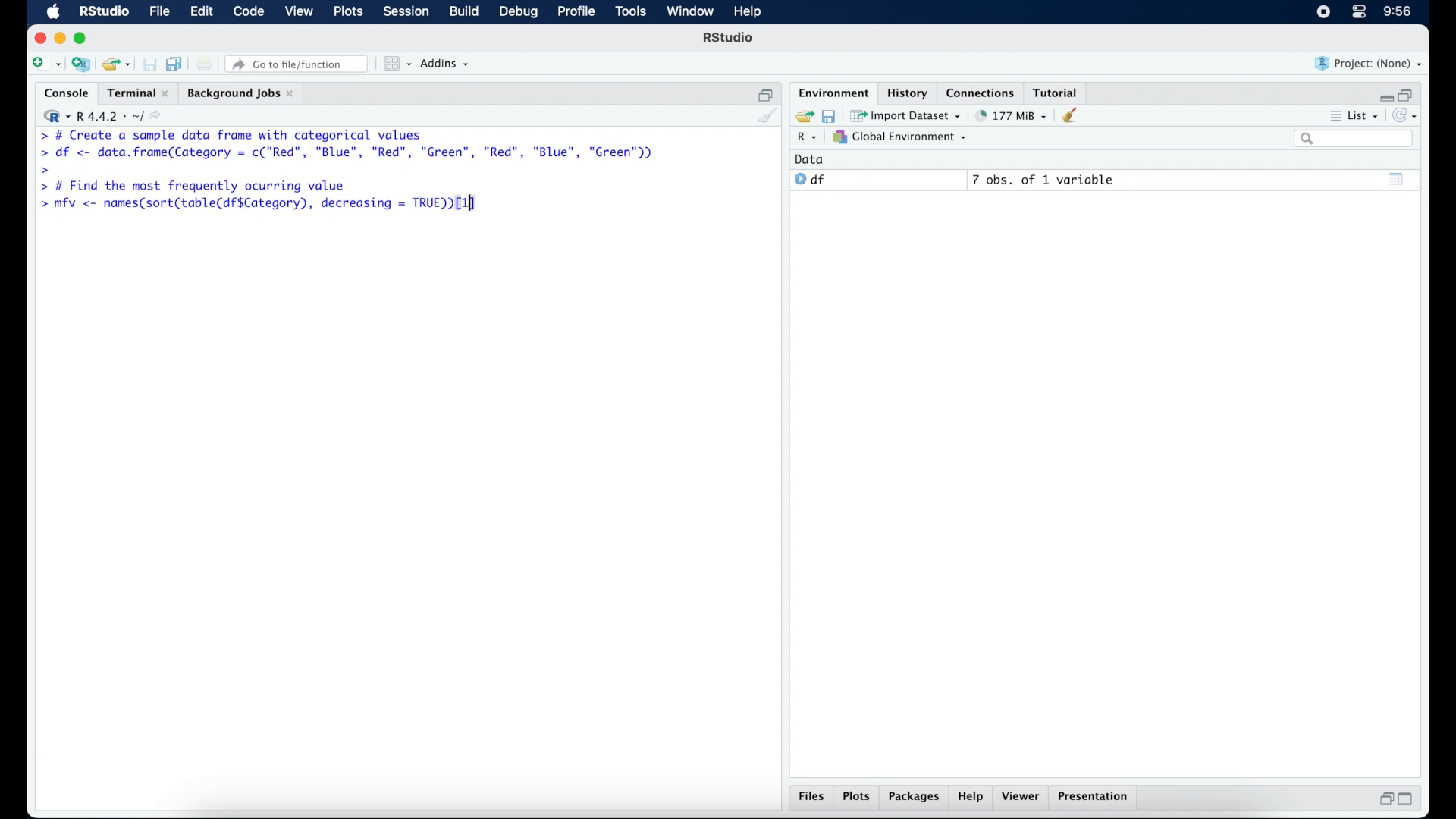  What do you see at coordinates (764, 92) in the screenshot?
I see `restore down` at bounding box center [764, 92].